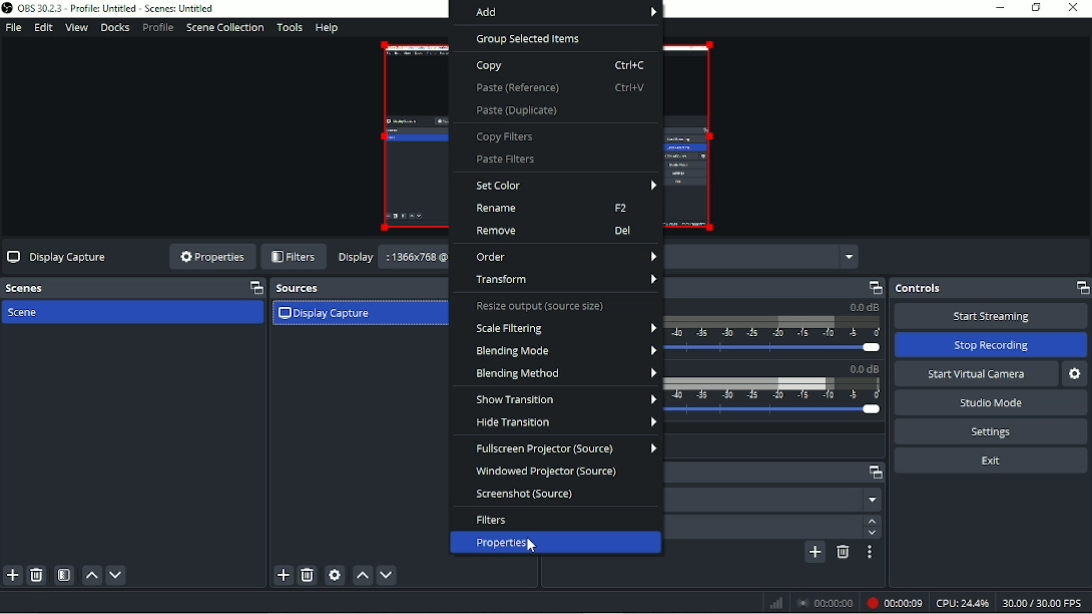  Describe the element at coordinates (547, 472) in the screenshot. I see `Windowed projector` at that location.